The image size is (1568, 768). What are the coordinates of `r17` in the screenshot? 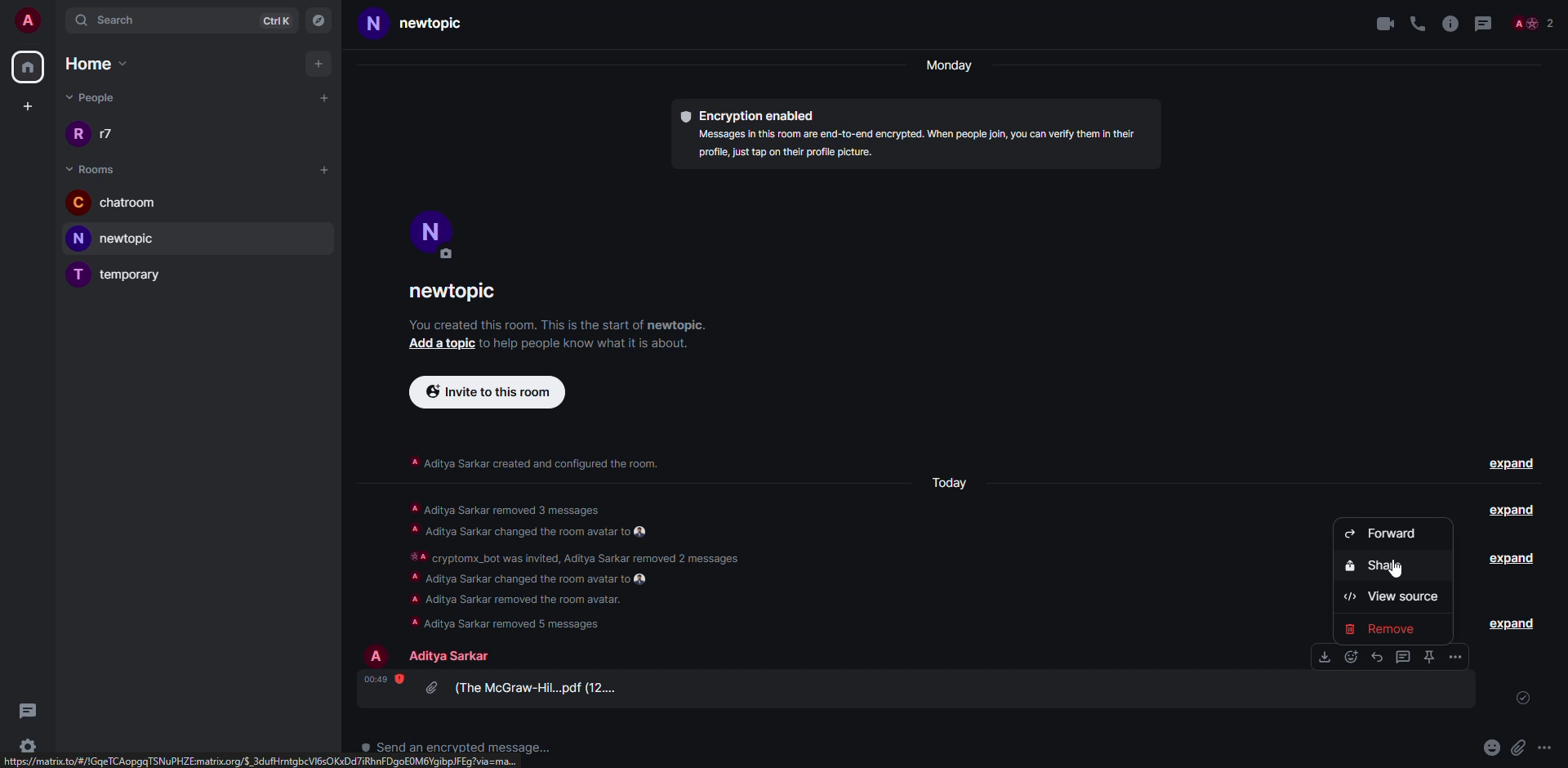 It's located at (93, 132).